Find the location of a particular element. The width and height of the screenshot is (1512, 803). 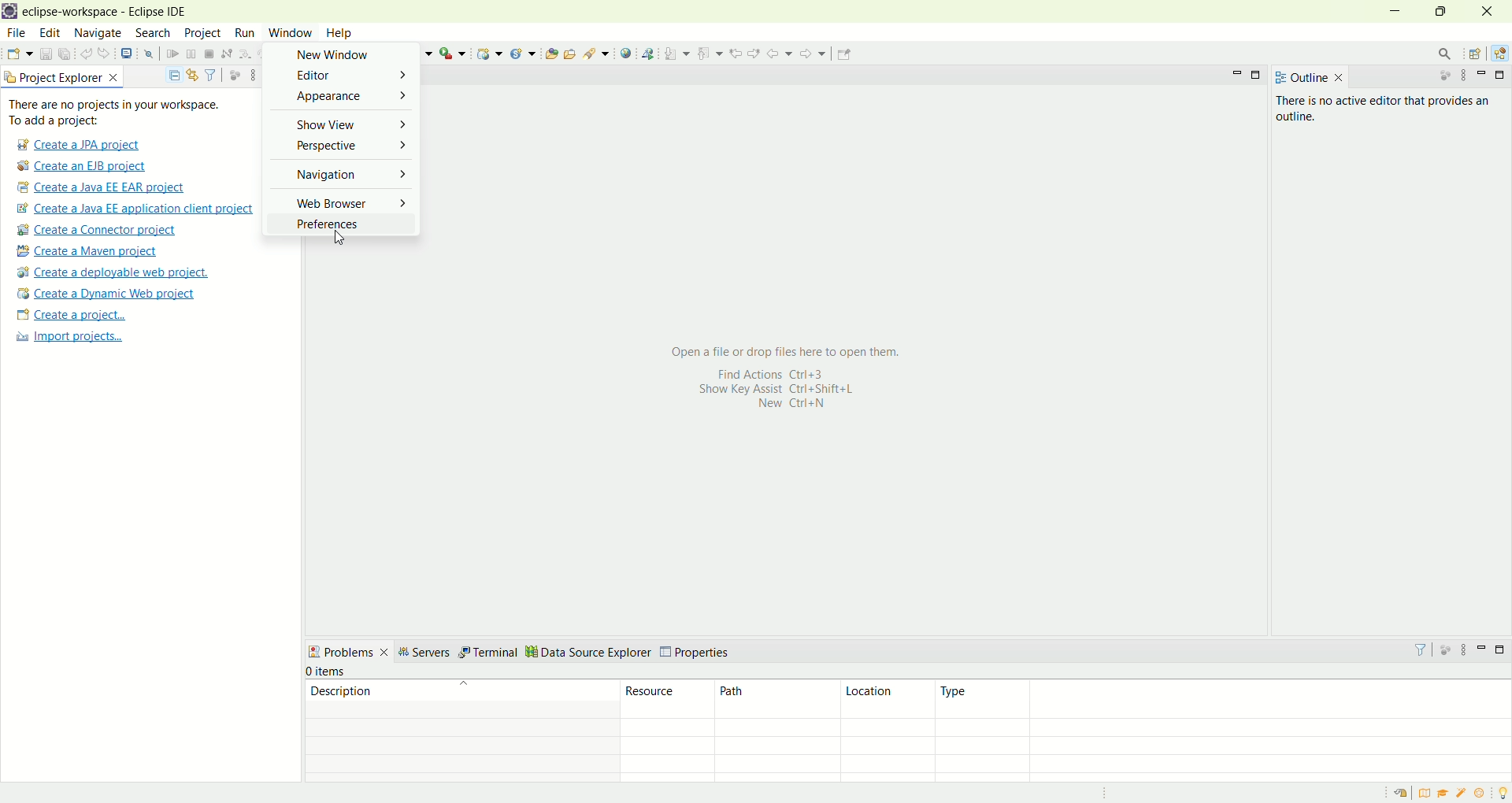

link with editor is located at coordinates (193, 75).